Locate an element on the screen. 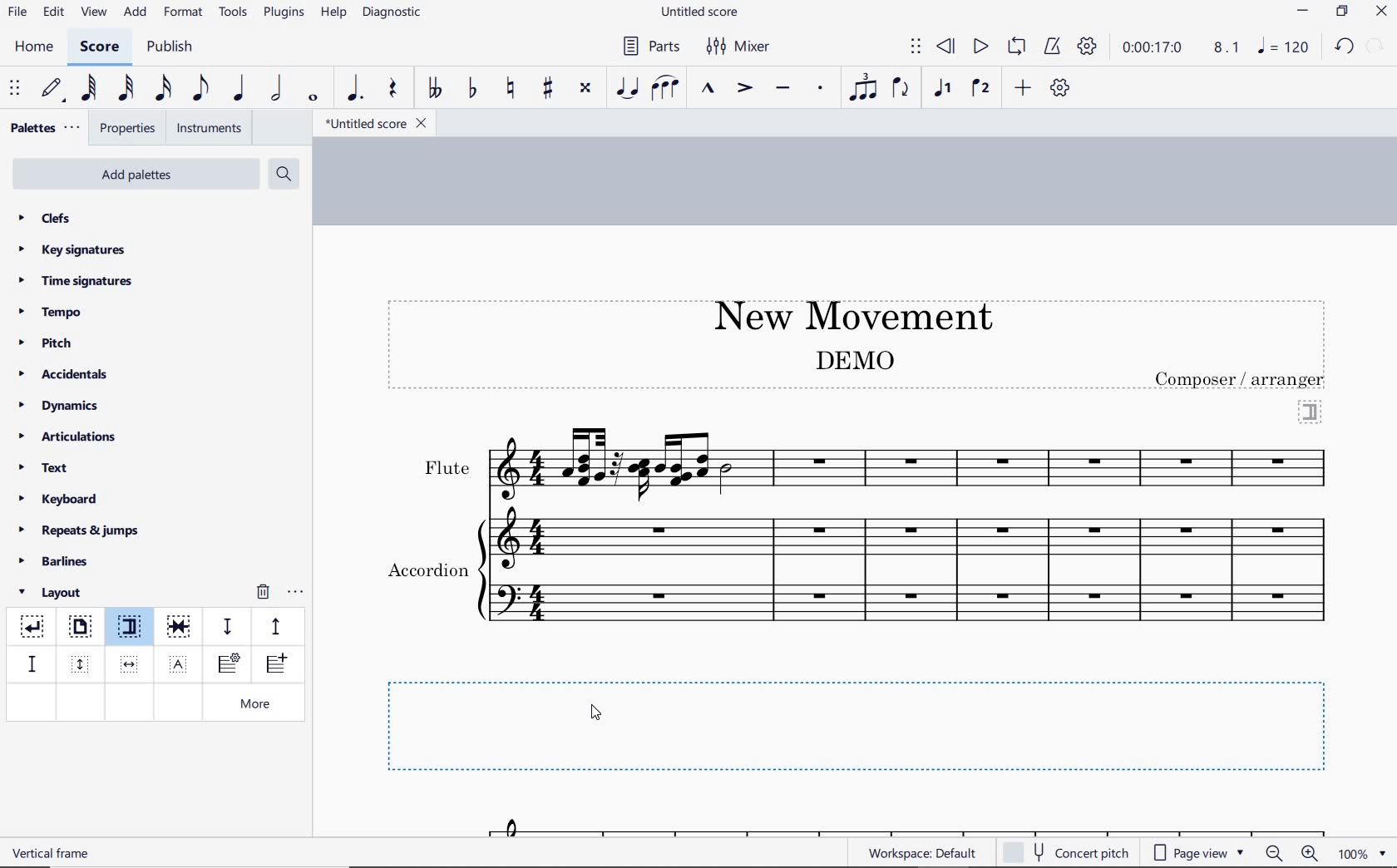 Image resolution: width=1397 pixels, height=868 pixels. text is located at coordinates (53, 852).